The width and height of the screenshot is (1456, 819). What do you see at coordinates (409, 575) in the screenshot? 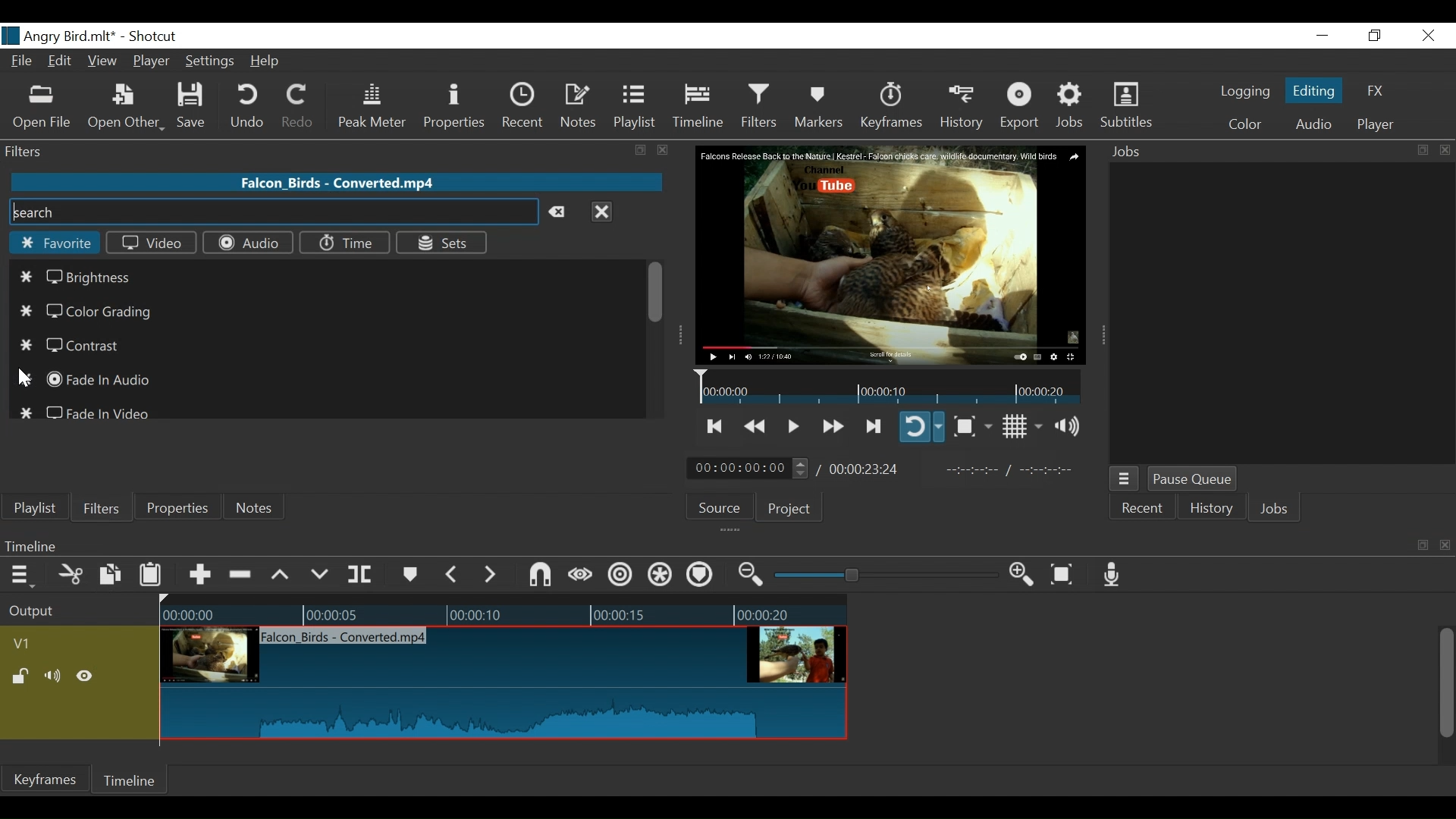
I see `Markers` at bounding box center [409, 575].